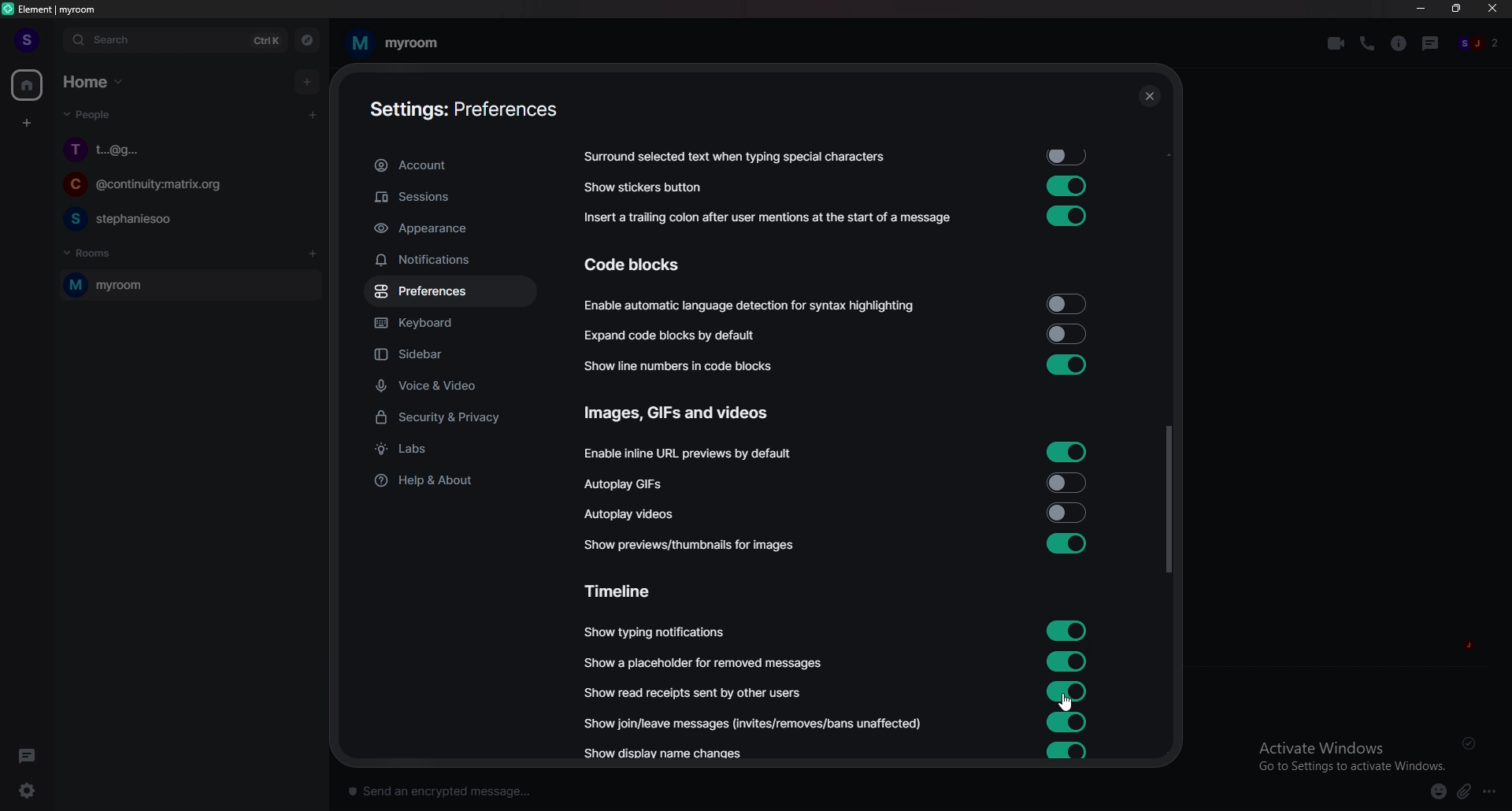  Describe the element at coordinates (1067, 451) in the screenshot. I see `toggle` at that location.